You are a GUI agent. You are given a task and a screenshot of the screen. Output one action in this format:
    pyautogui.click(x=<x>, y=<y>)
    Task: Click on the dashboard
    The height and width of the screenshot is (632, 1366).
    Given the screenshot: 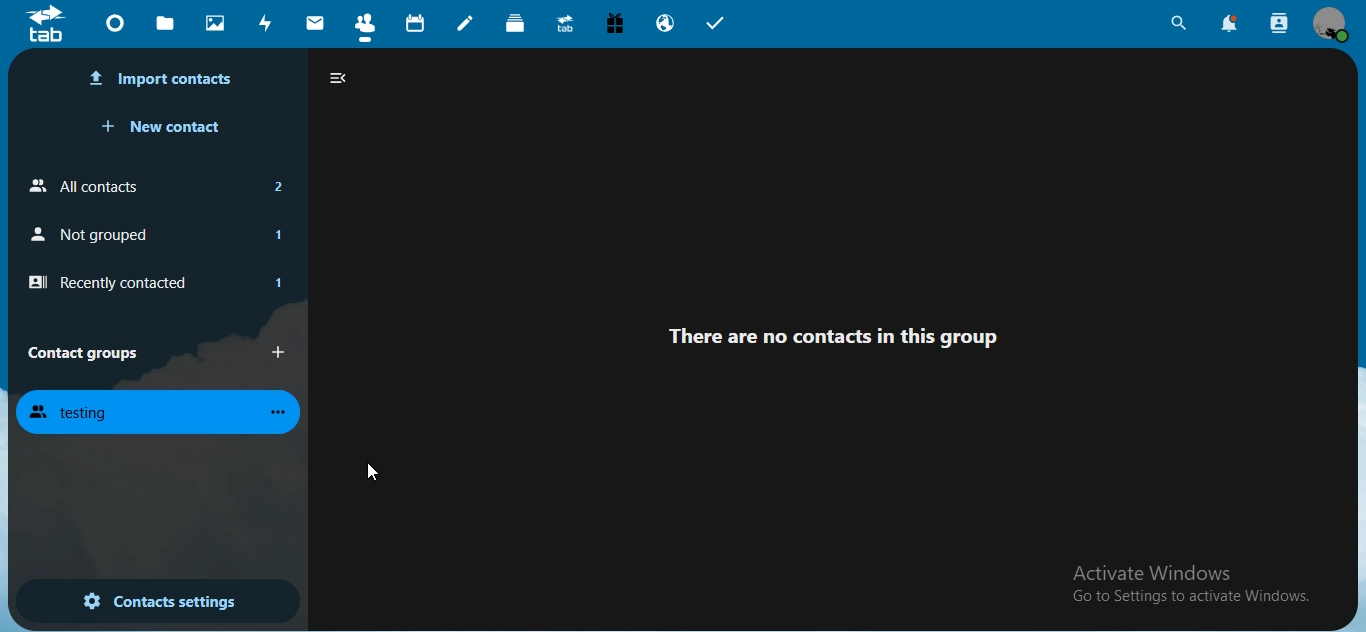 What is the action you would take?
    pyautogui.click(x=118, y=28)
    